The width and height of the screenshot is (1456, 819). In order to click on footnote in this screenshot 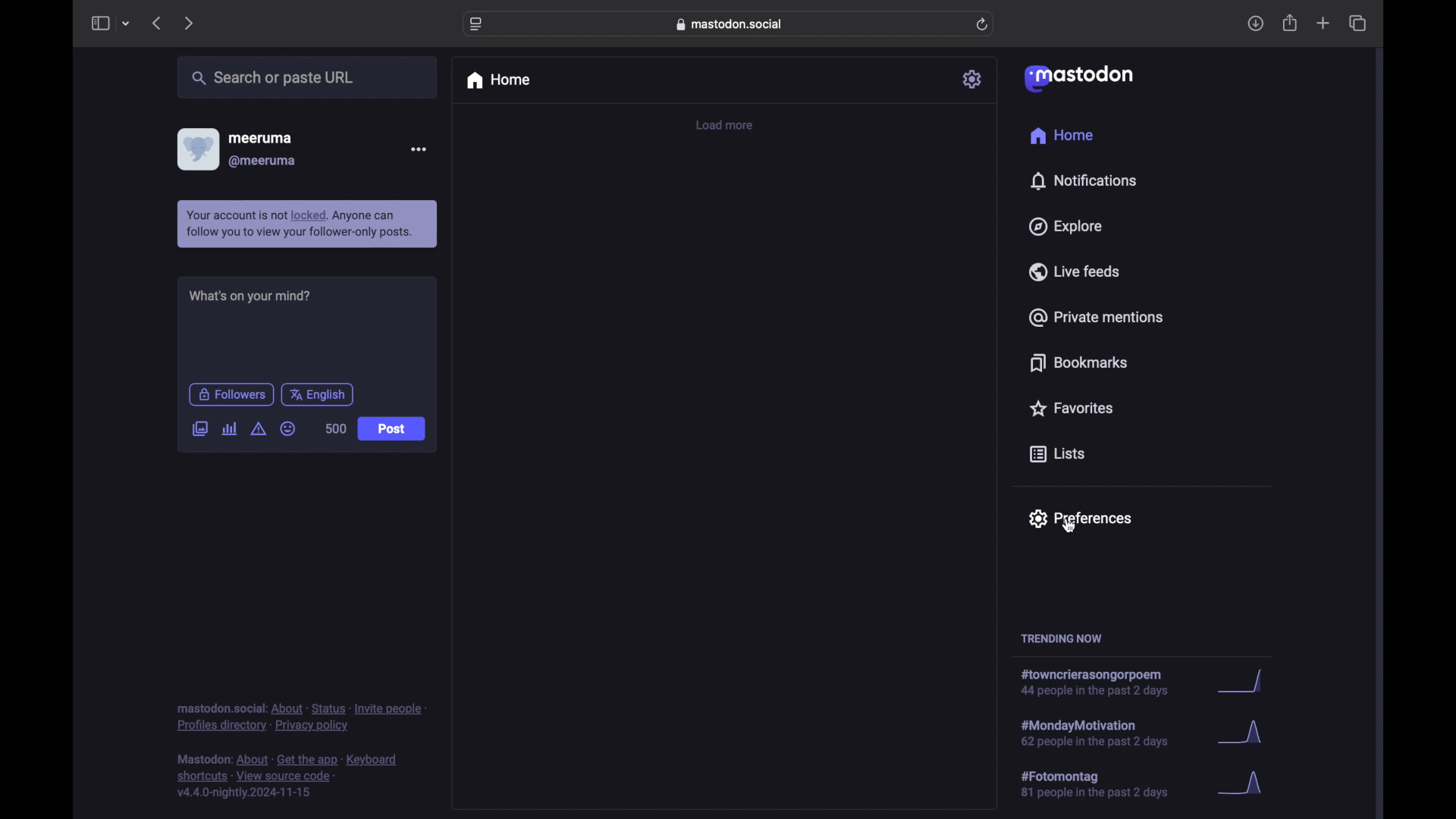, I will do `click(290, 776)`.